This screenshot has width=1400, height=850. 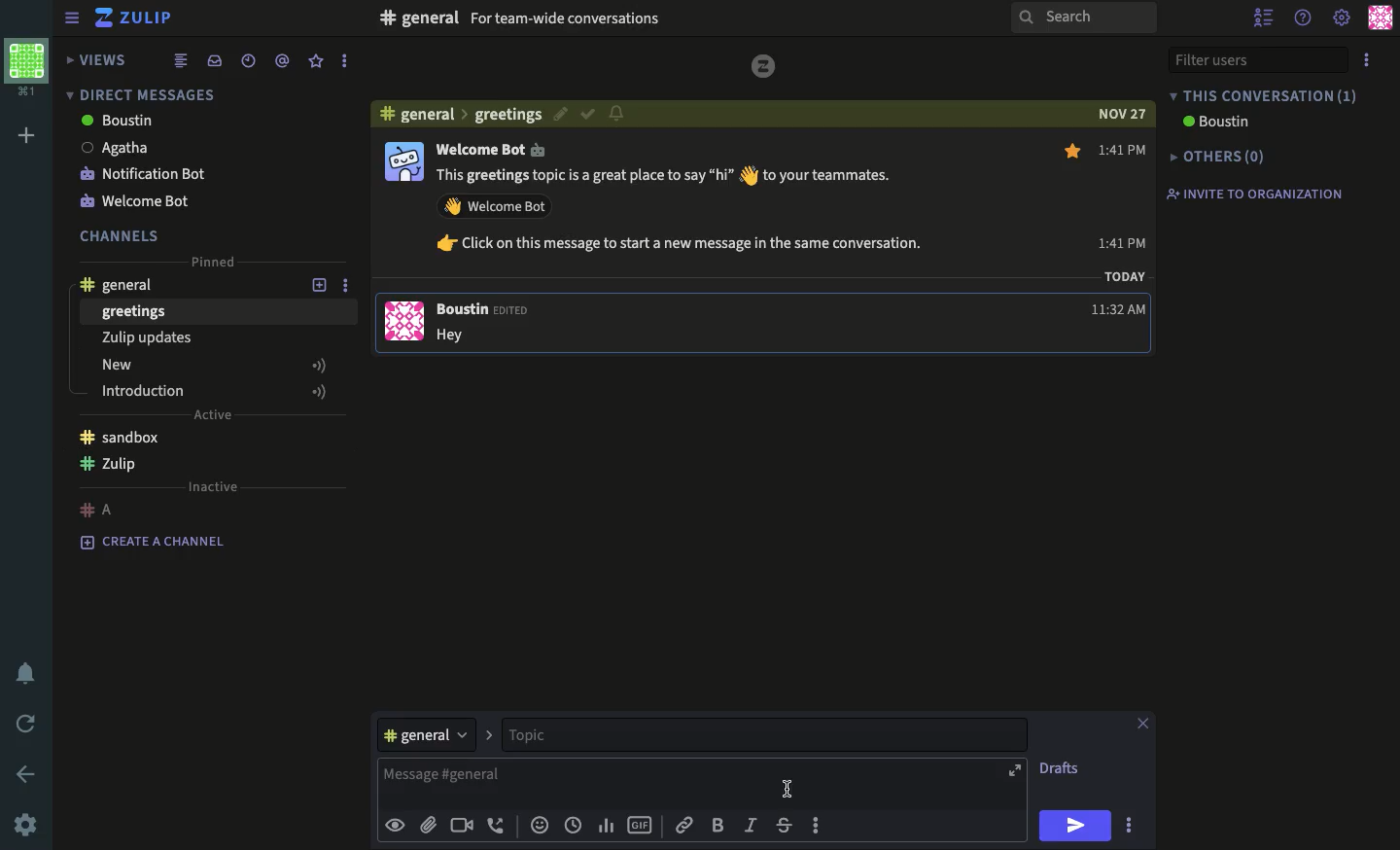 What do you see at coordinates (281, 60) in the screenshot?
I see `tagged` at bounding box center [281, 60].